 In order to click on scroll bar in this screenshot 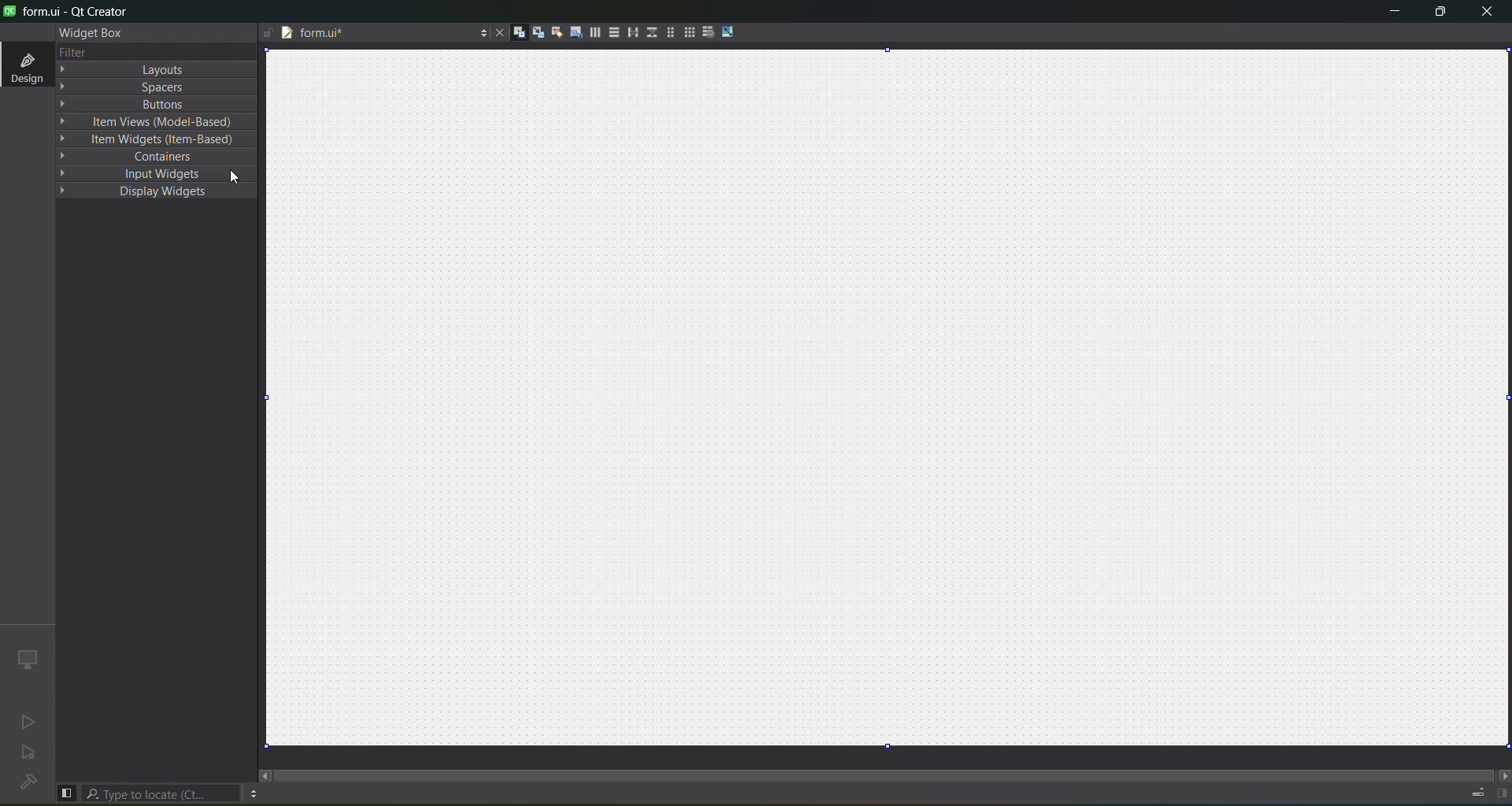, I will do `click(892, 775)`.